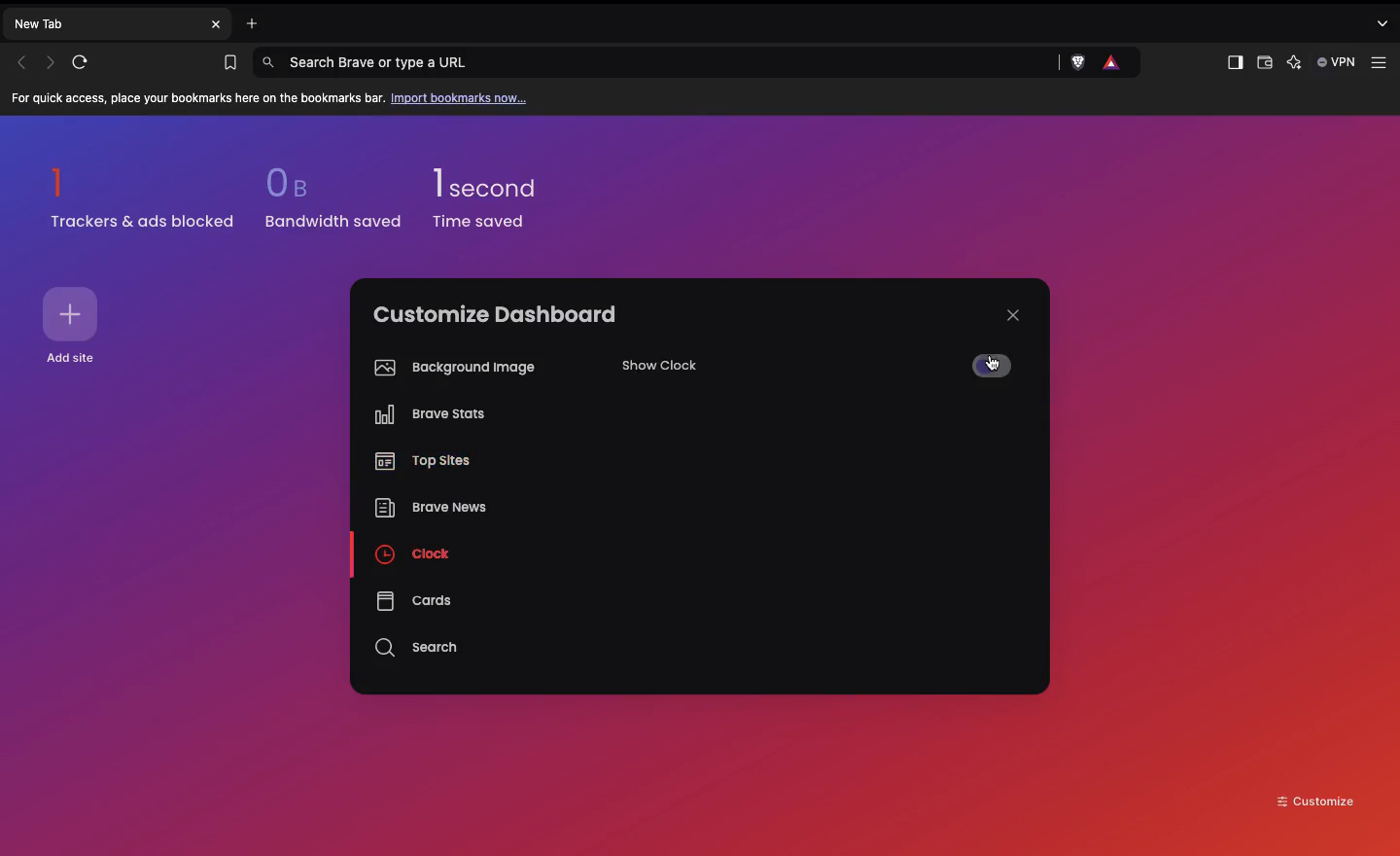 This screenshot has width=1400, height=856. Describe the element at coordinates (497, 190) in the screenshot. I see `1 second time saved` at that location.